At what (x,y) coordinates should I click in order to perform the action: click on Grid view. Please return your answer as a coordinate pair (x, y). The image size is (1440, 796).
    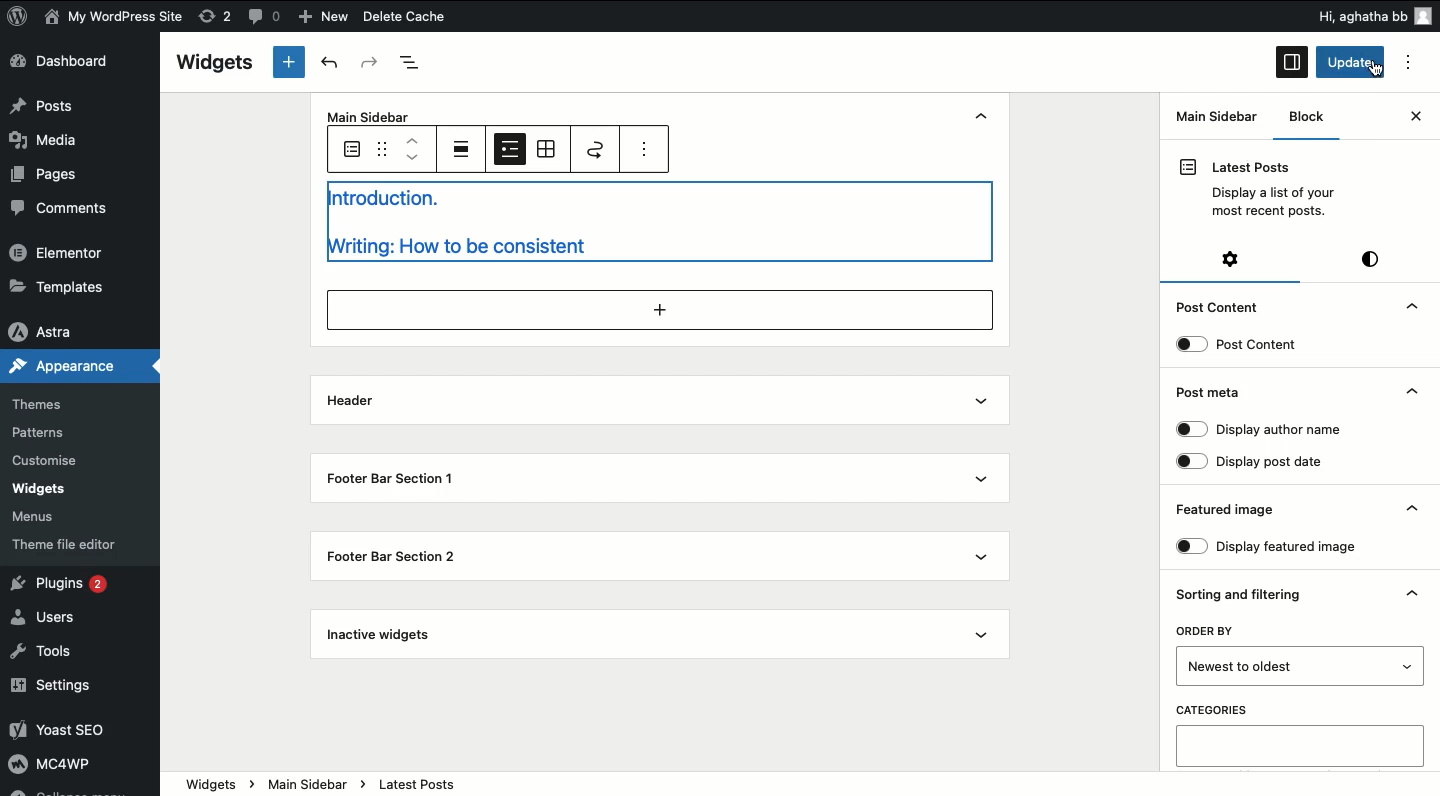
    Looking at the image, I should click on (549, 148).